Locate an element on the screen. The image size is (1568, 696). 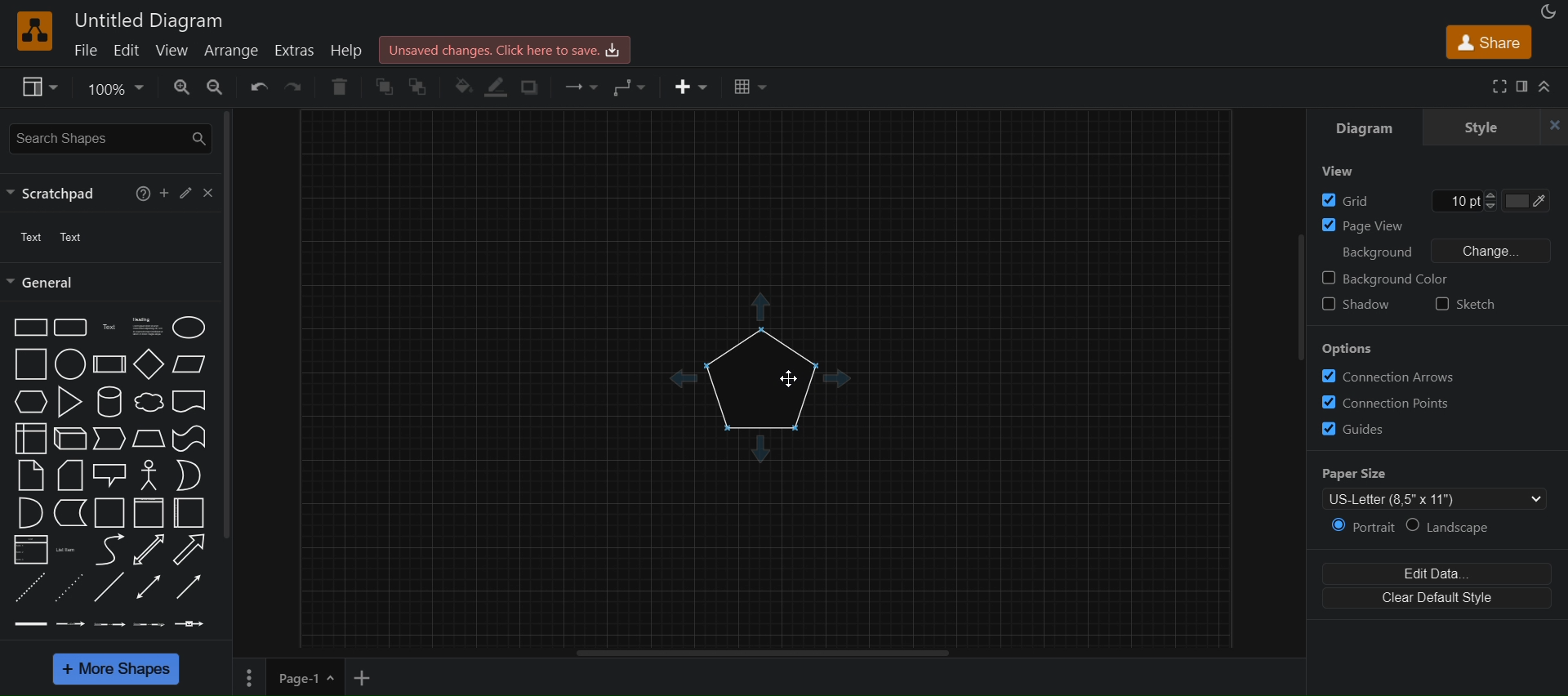
appearance as night mode is located at coordinates (1549, 11).